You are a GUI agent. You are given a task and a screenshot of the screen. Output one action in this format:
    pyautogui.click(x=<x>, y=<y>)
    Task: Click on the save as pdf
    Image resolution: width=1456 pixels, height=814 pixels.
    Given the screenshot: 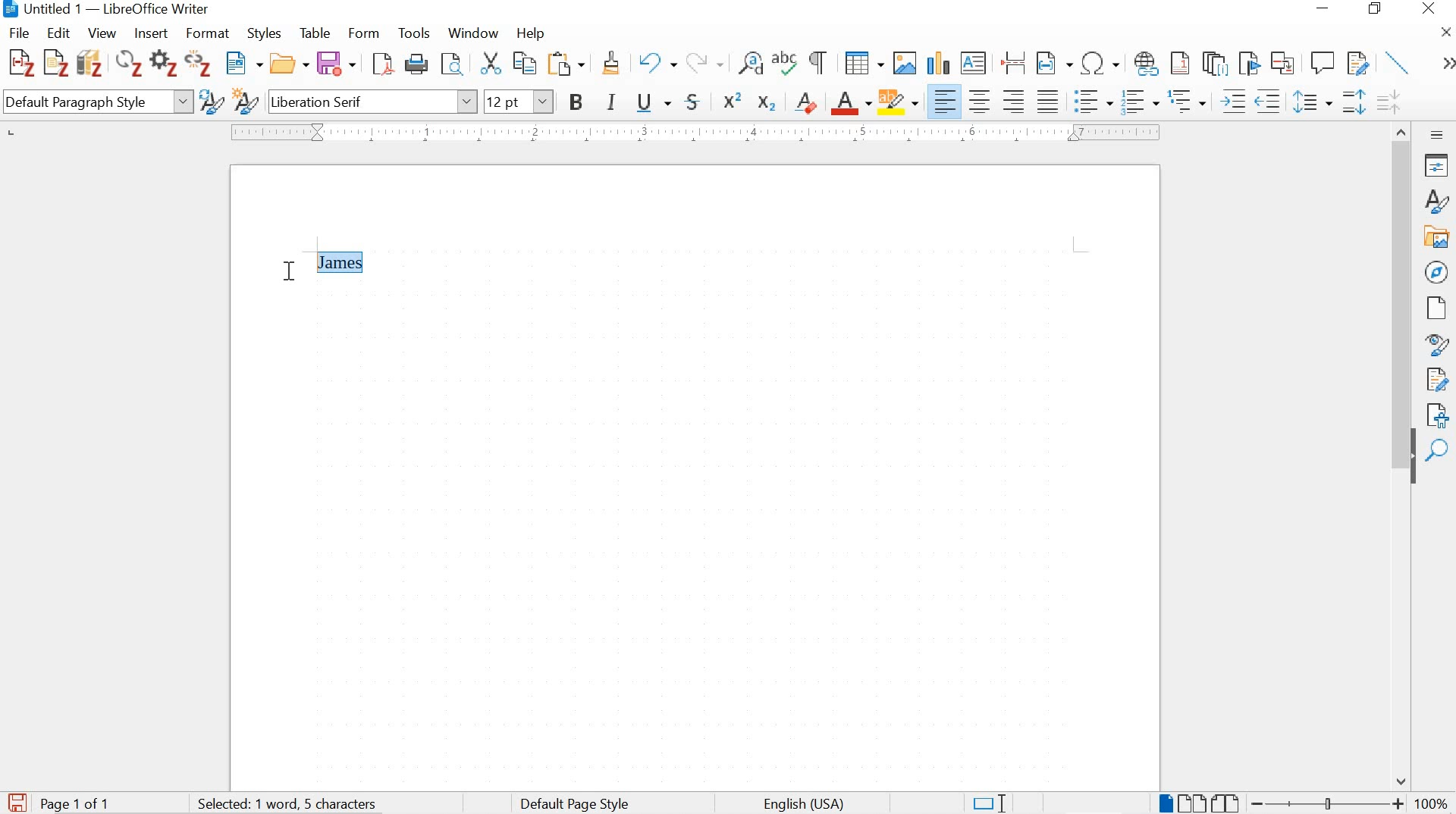 What is the action you would take?
    pyautogui.click(x=382, y=65)
    